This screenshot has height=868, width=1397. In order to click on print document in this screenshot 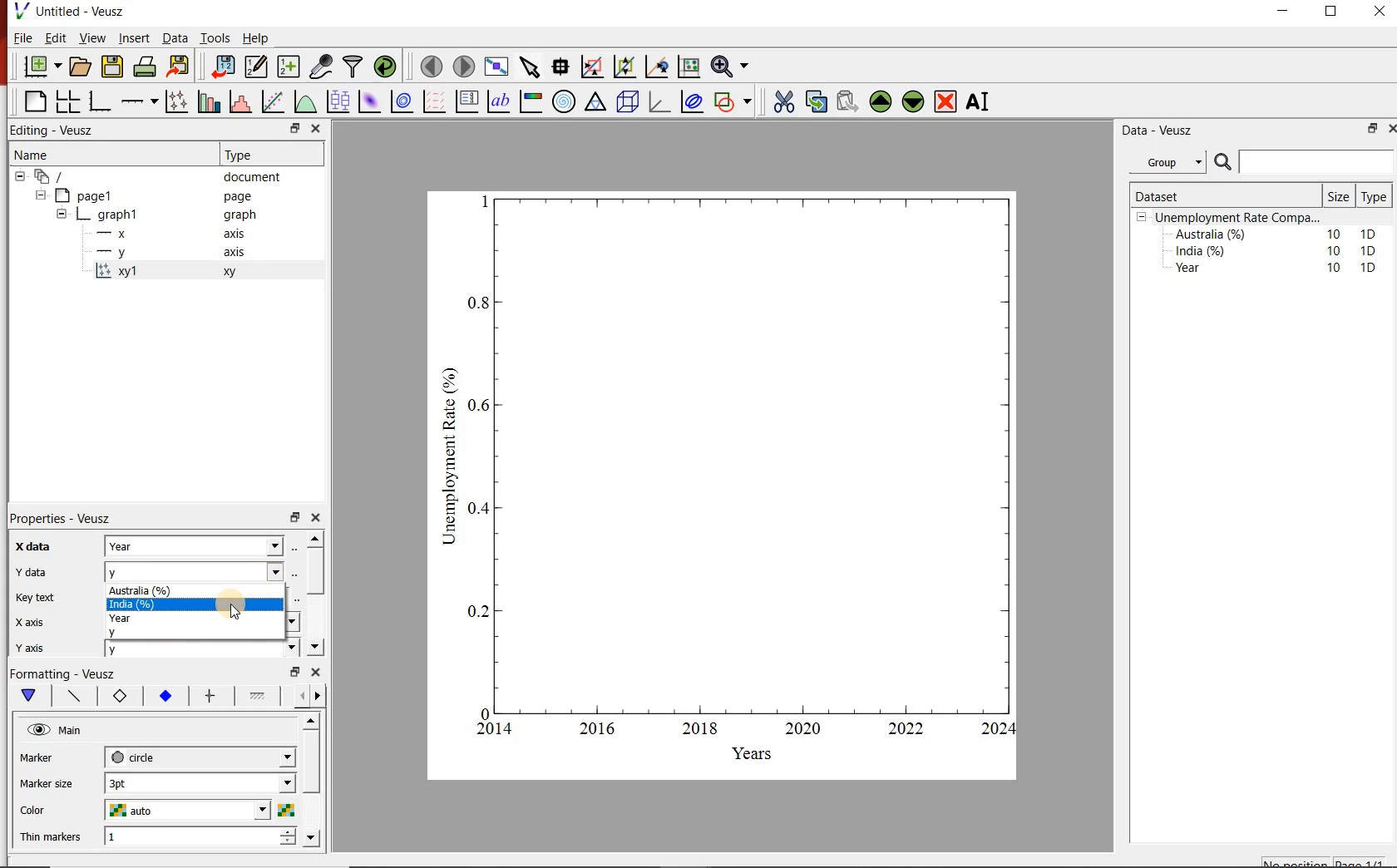, I will do `click(145, 65)`.